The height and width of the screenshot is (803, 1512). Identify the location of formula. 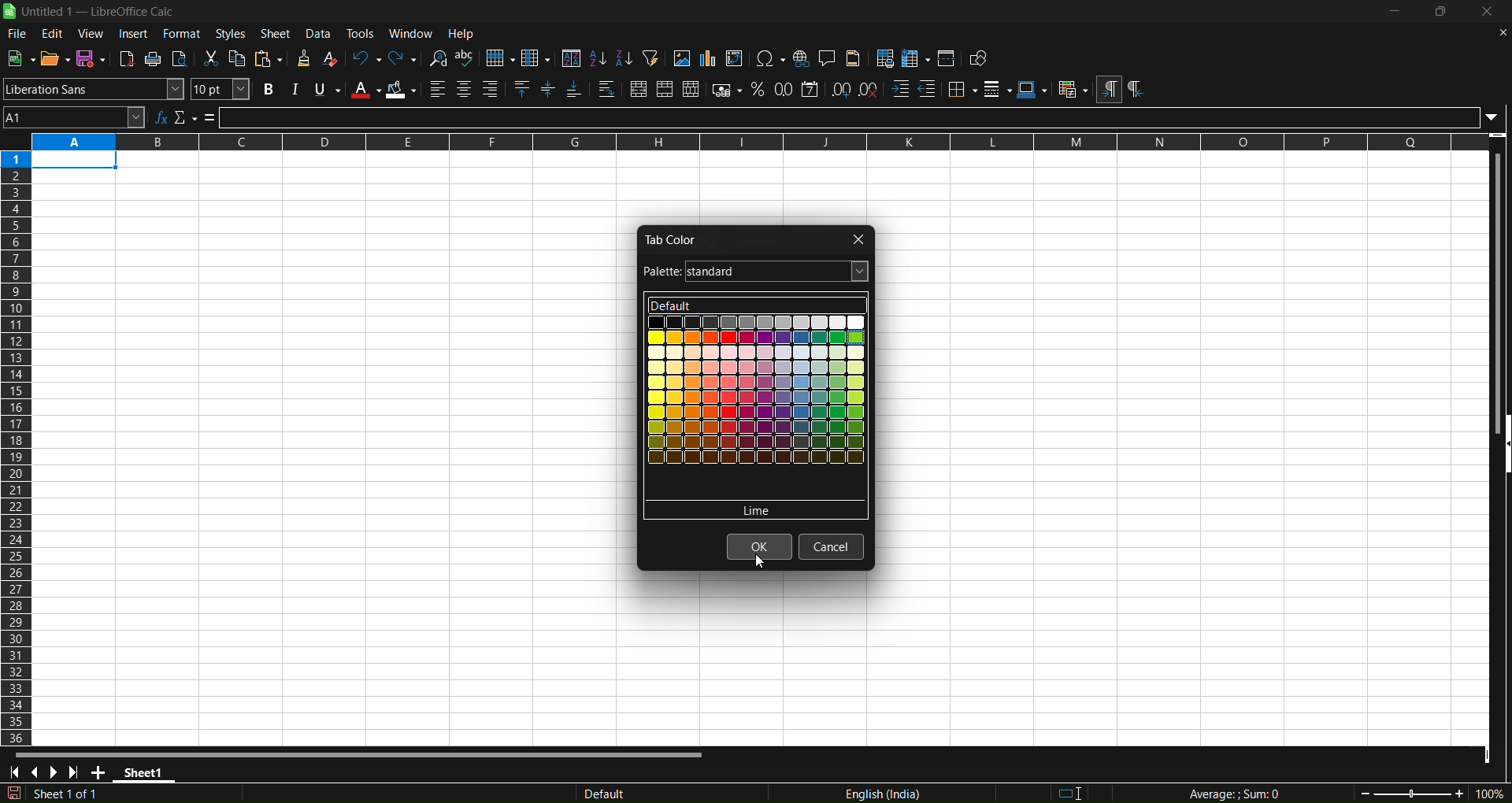
(210, 118).